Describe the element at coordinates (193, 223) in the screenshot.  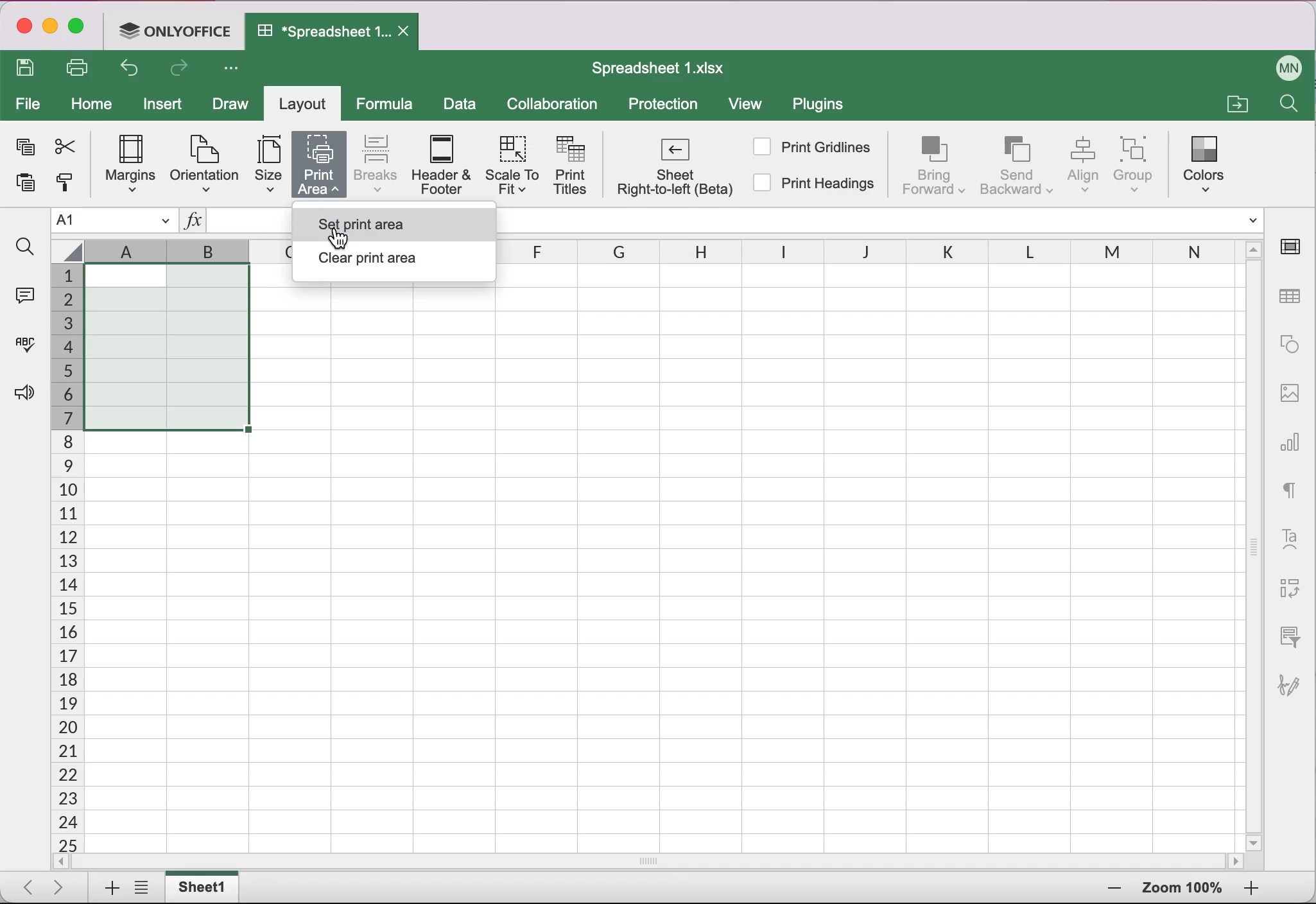
I see `Insert function` at that location.